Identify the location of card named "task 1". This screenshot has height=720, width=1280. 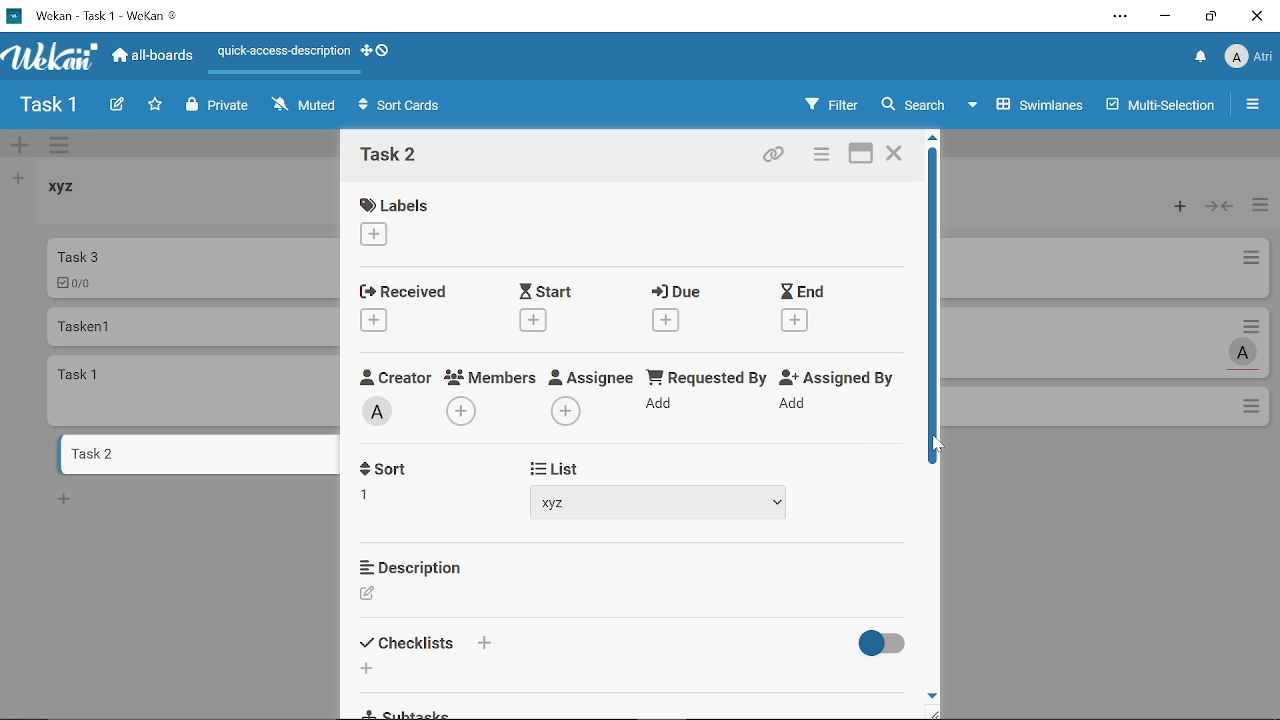
(195, 390).